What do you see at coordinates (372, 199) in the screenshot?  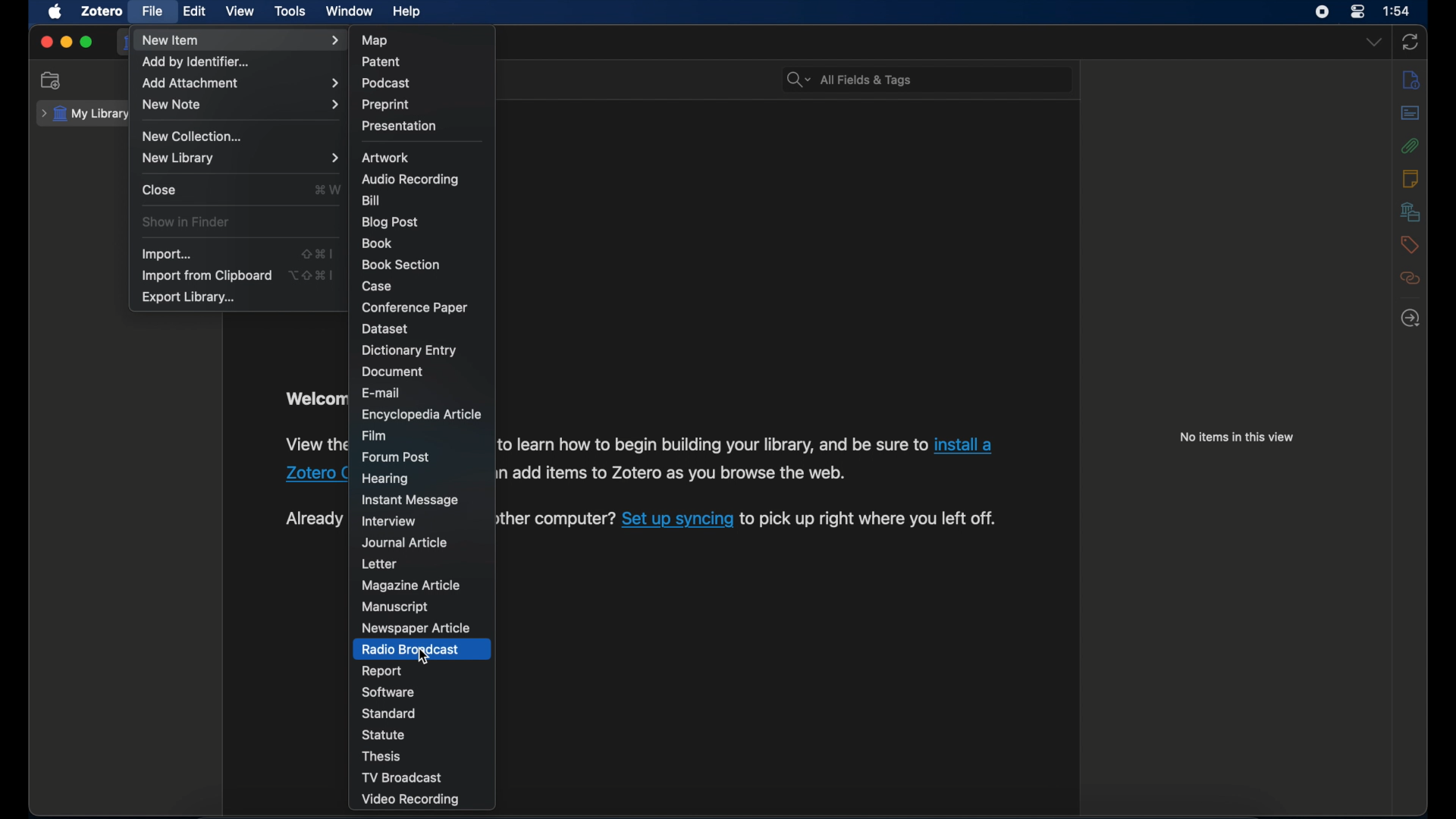 I see `bill` at bounding box center [372, 199].